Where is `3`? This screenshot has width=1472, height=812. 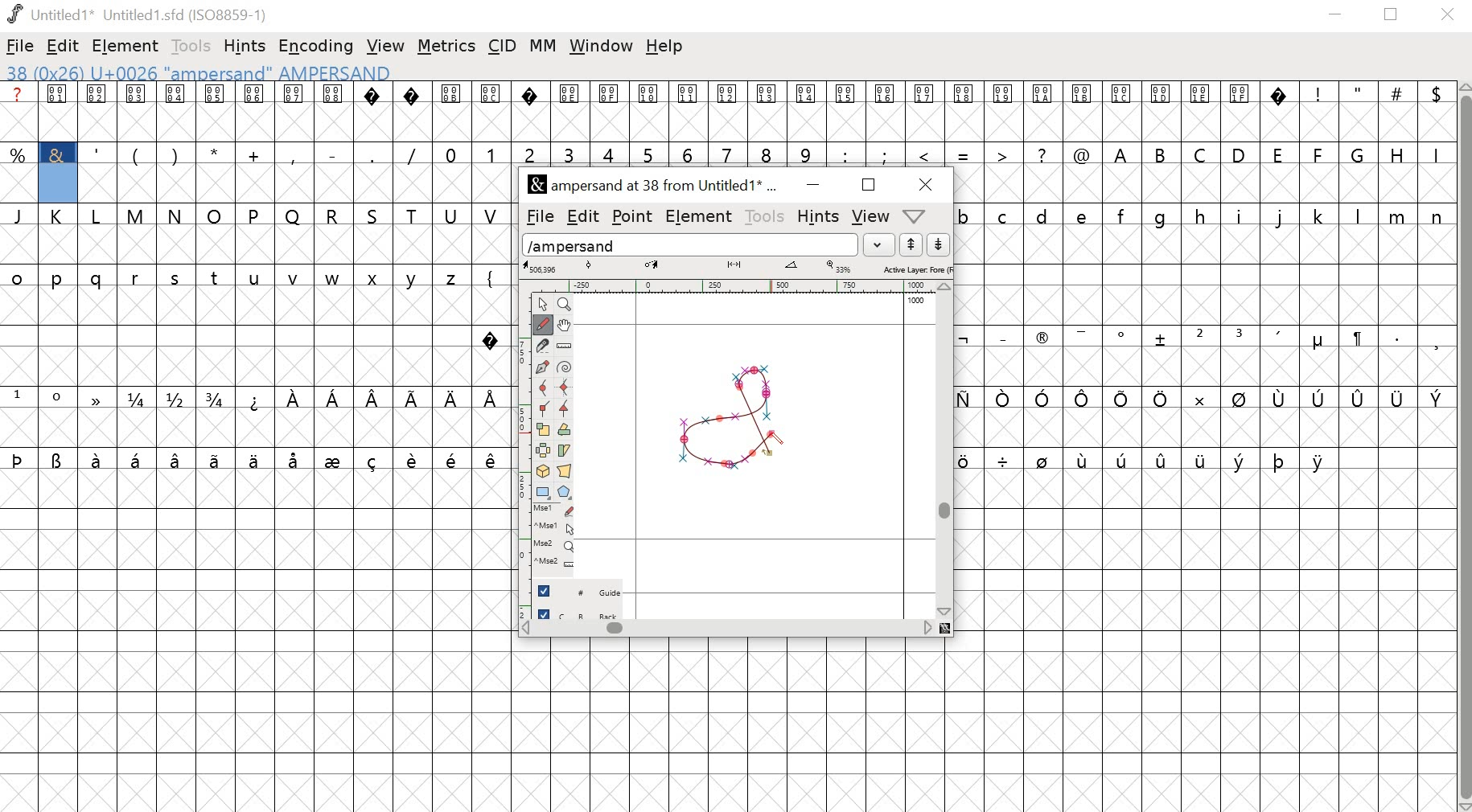 3 is located at coordinates (569, 153).